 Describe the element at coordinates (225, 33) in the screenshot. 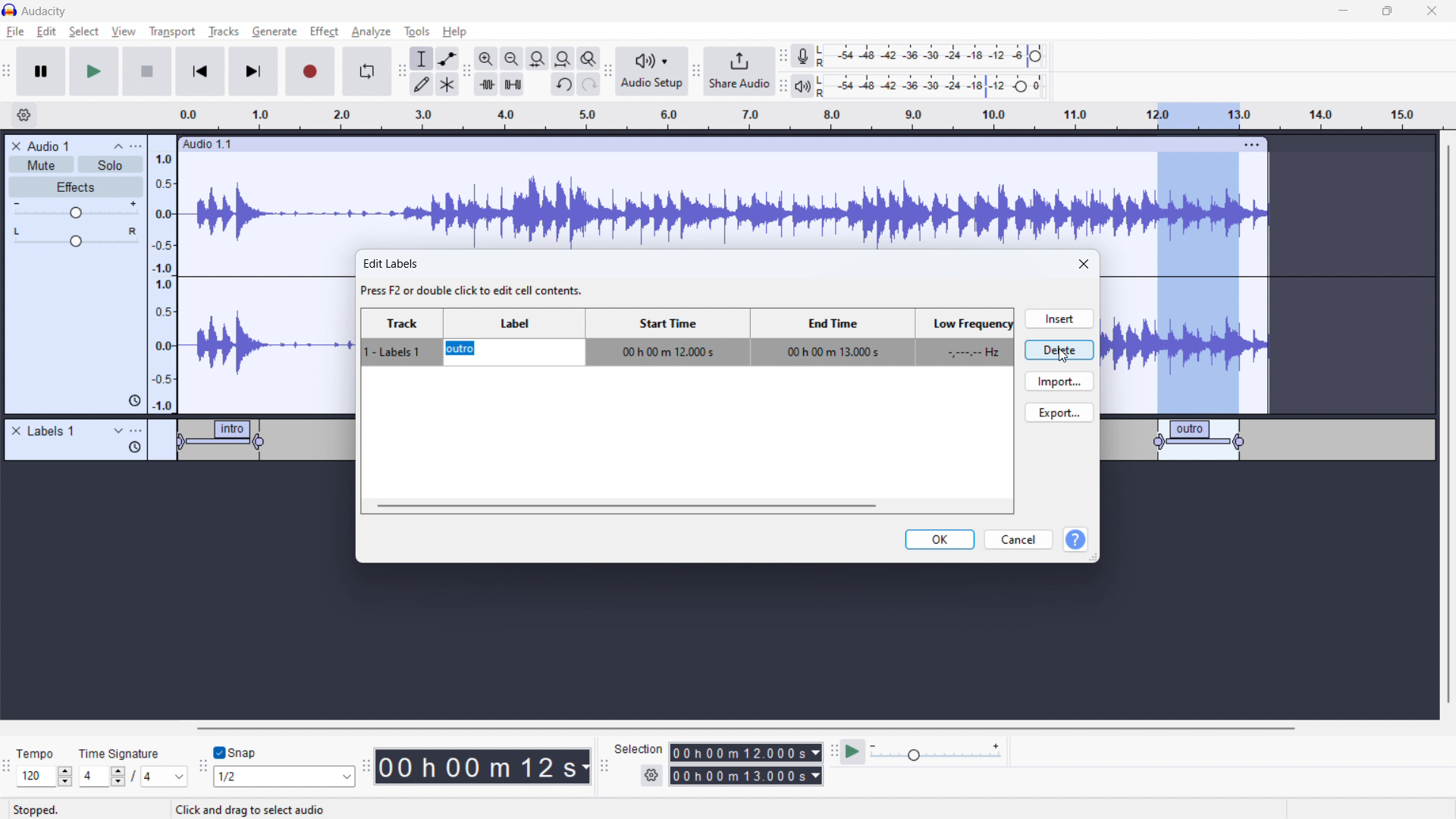

I see `tracks` at that location.